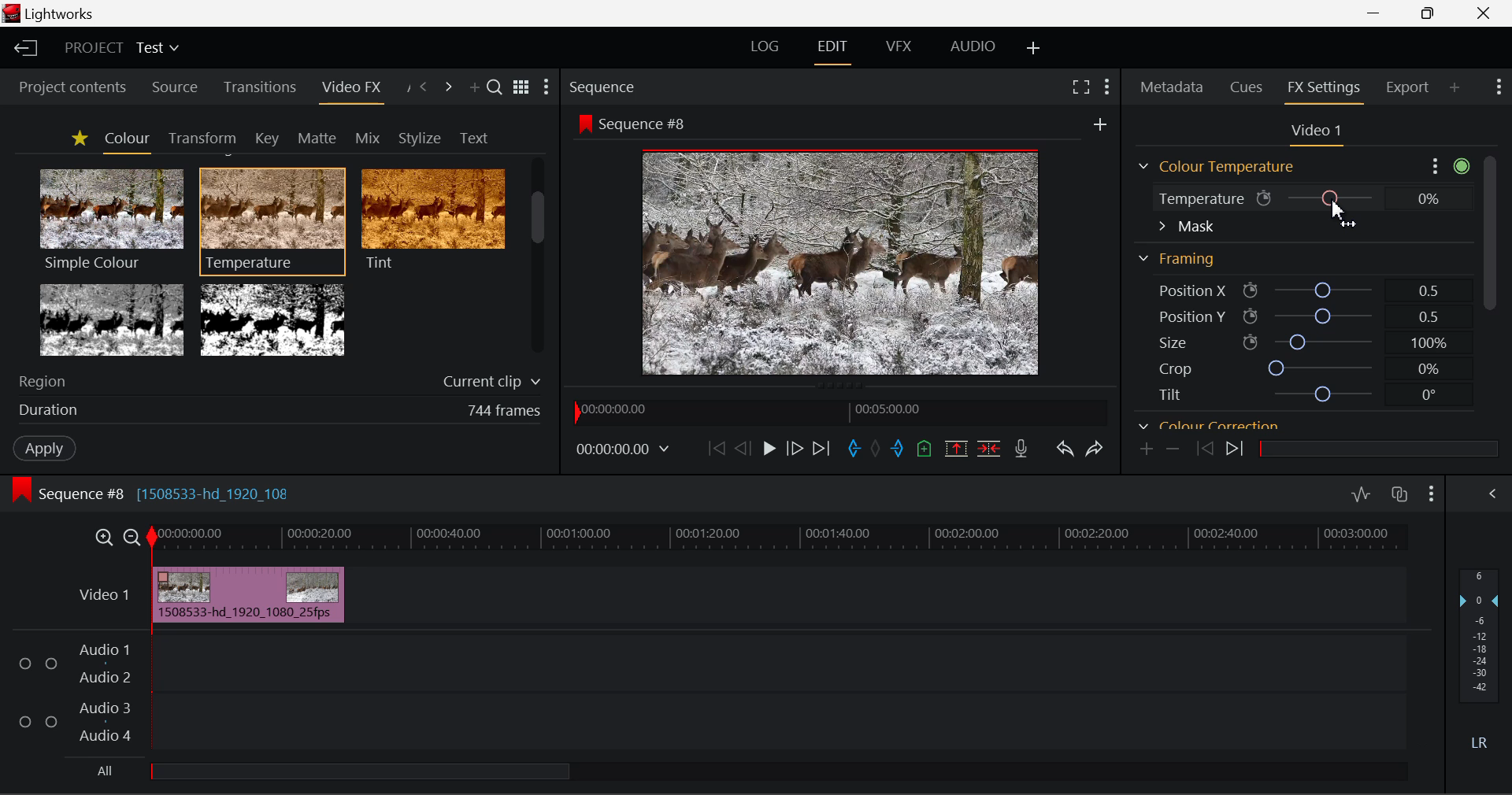 Image resolution: width=1512 pixels, height=795 pixels. What do you see at coordinates (1325, 394) in the screenshot?
I see `tilt` at bounding box center [1325, 394].